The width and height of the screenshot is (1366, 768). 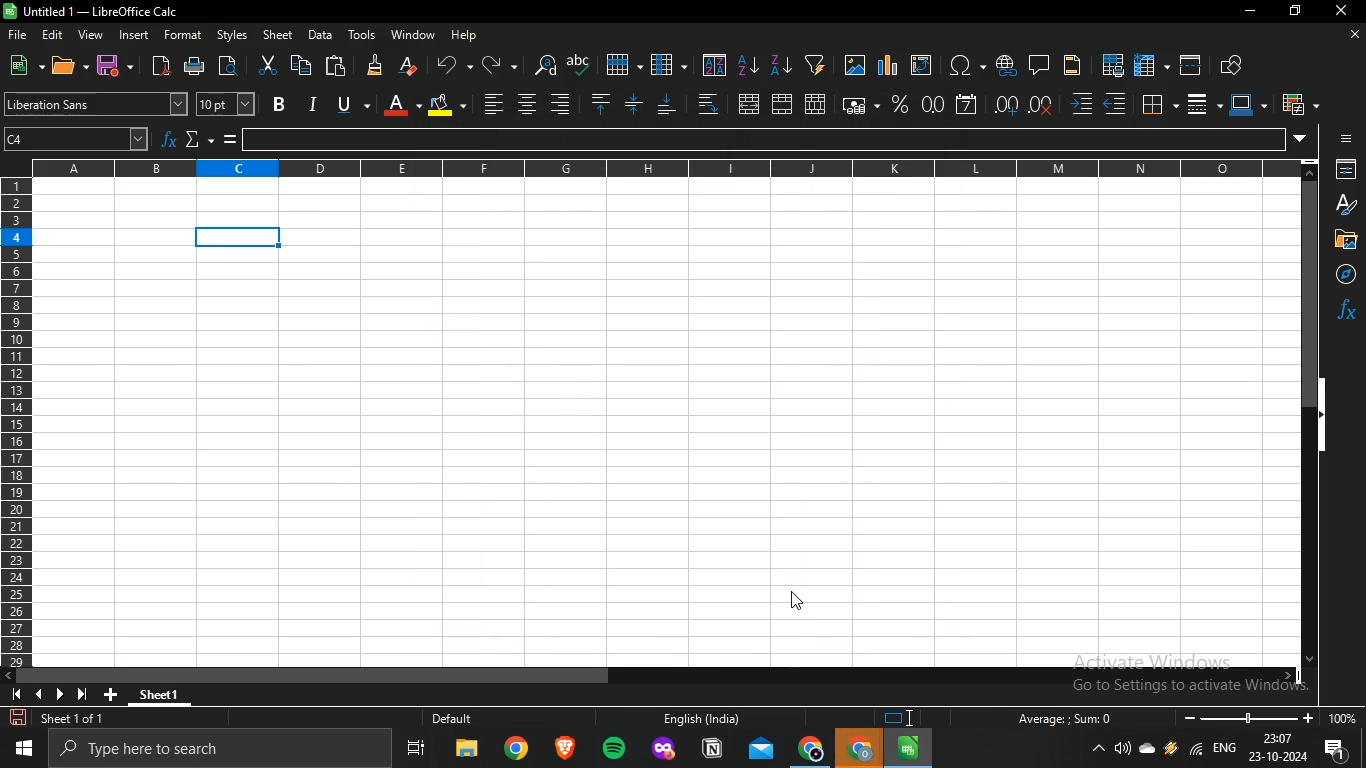 I want to click on font name, so click(x=96, y=105).